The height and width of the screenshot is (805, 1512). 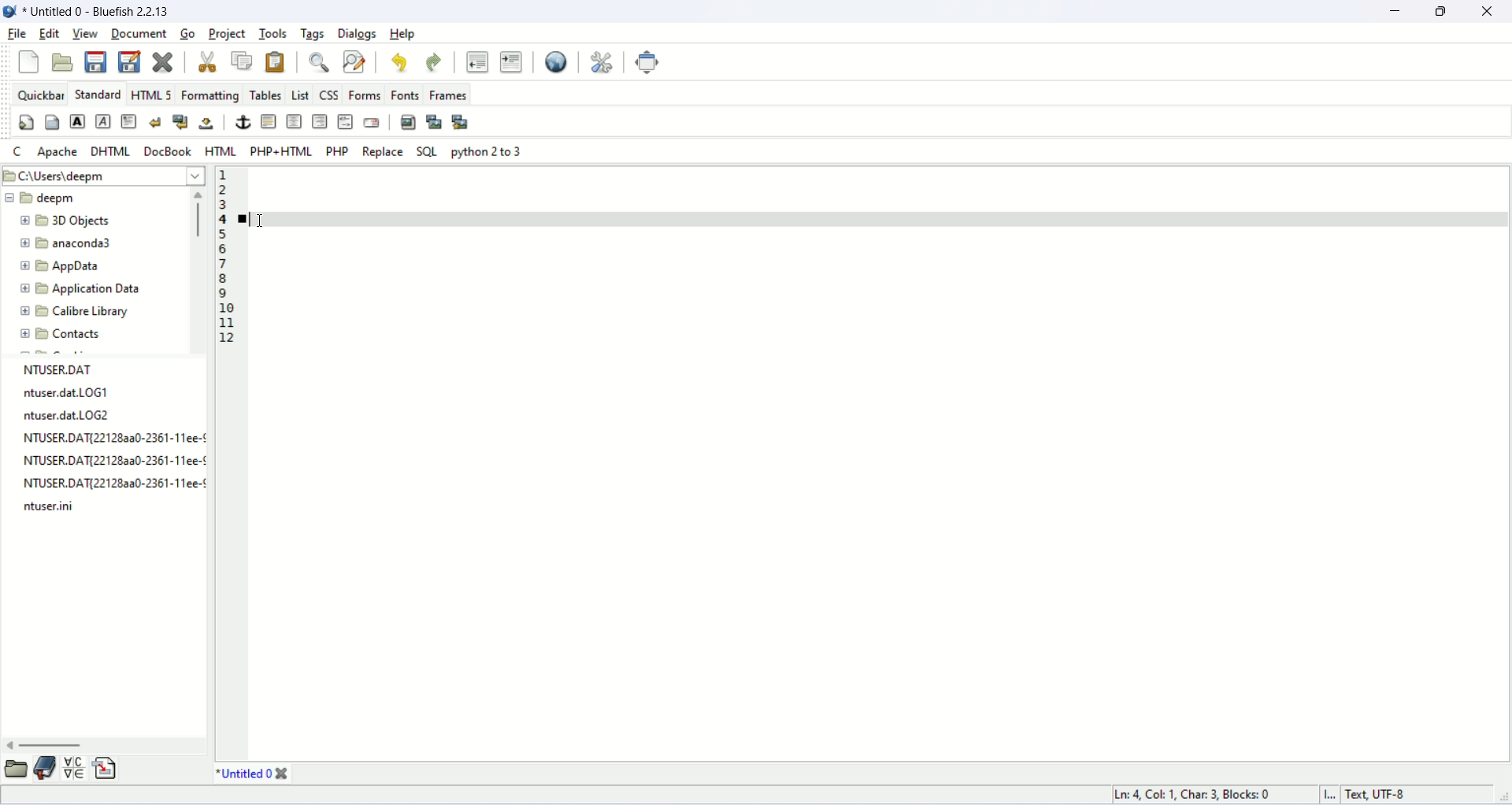 I want to click on strong, so click(x=77, y=121).